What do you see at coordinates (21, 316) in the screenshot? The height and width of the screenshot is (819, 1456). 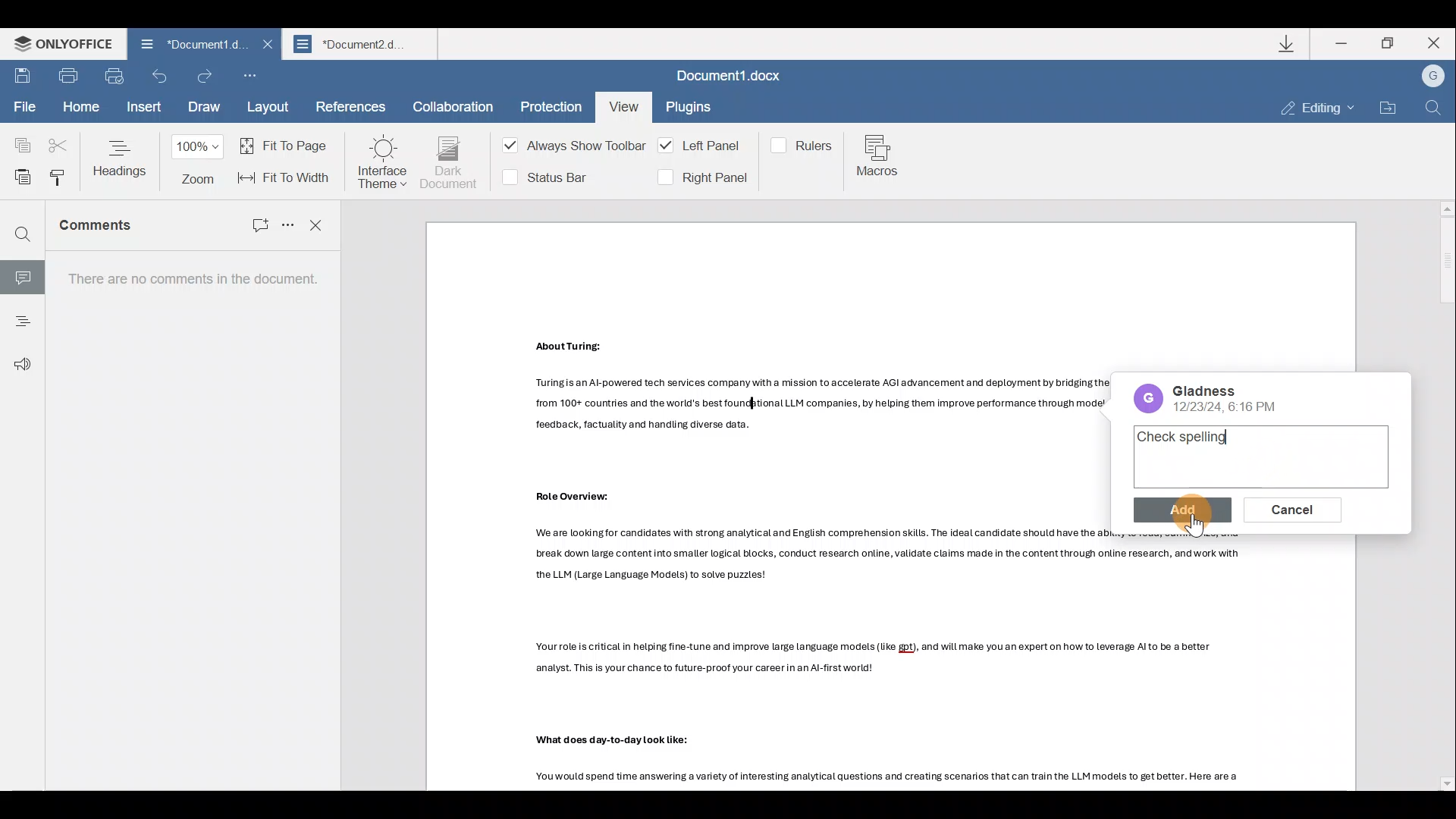 I see `Headings` at bounding box center [21, 316].